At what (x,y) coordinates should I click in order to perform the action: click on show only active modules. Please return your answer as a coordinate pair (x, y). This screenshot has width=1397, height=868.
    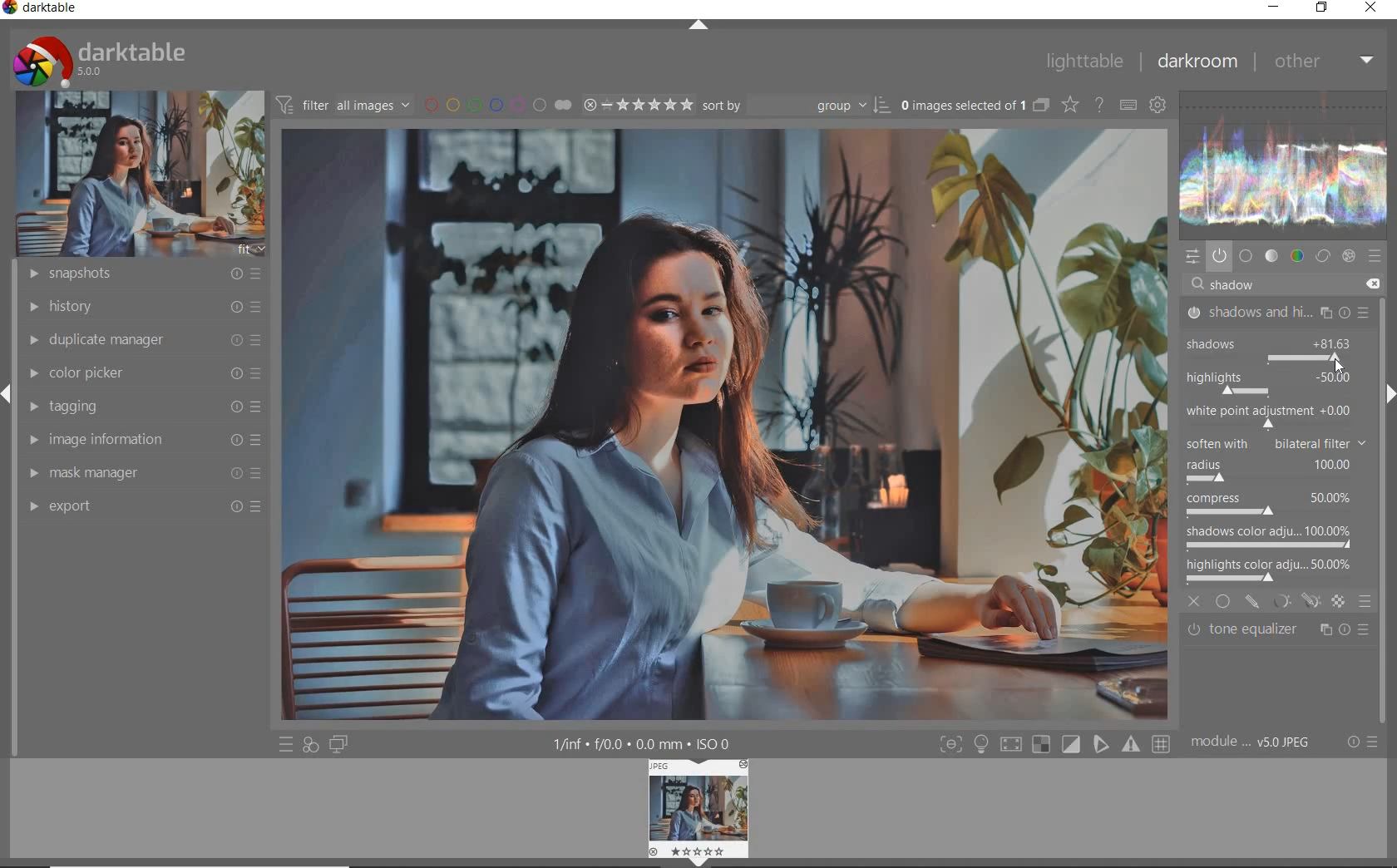
    Looking at the image, I should click on (1220, 255).